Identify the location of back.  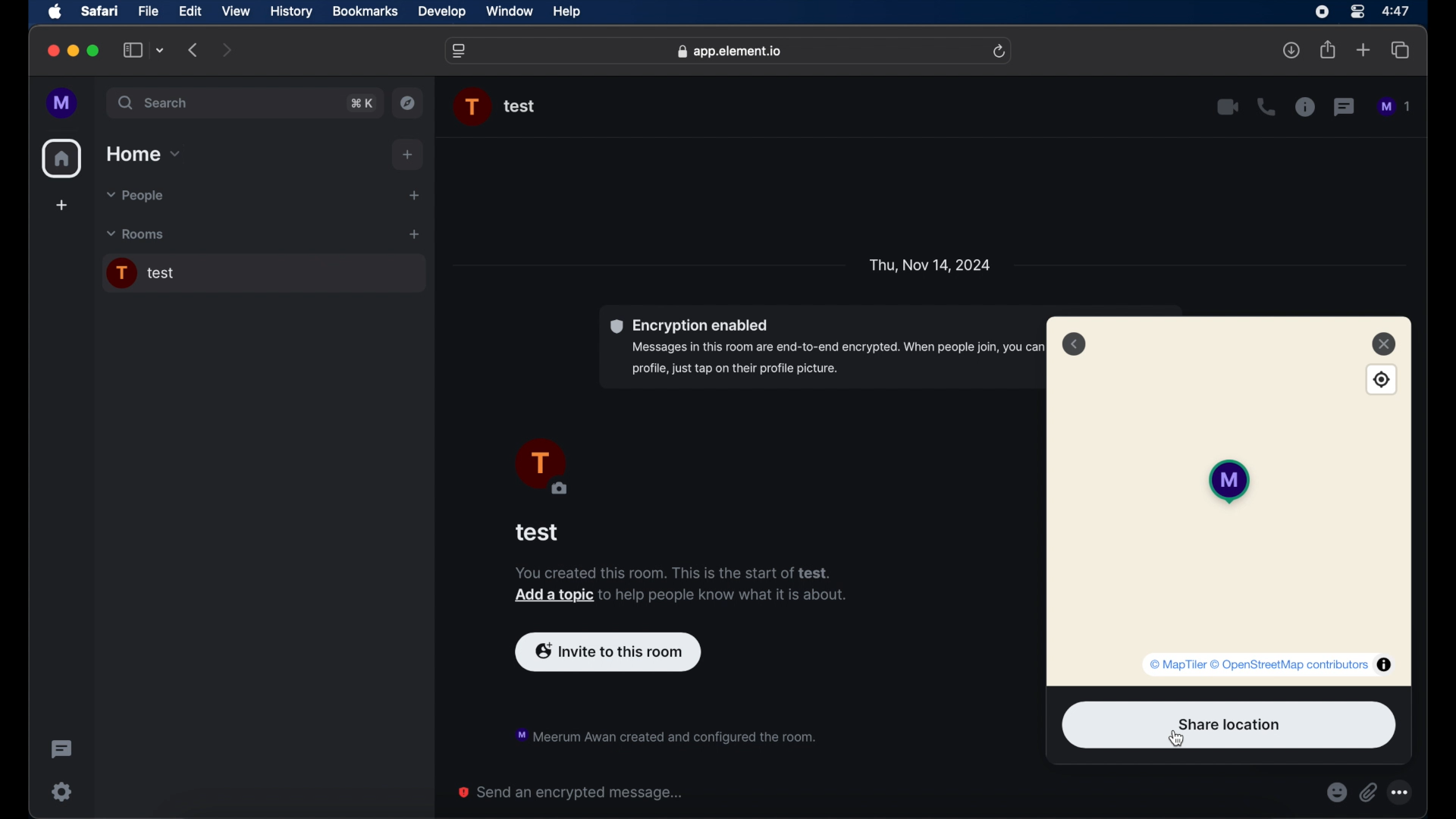
(1074, 344).